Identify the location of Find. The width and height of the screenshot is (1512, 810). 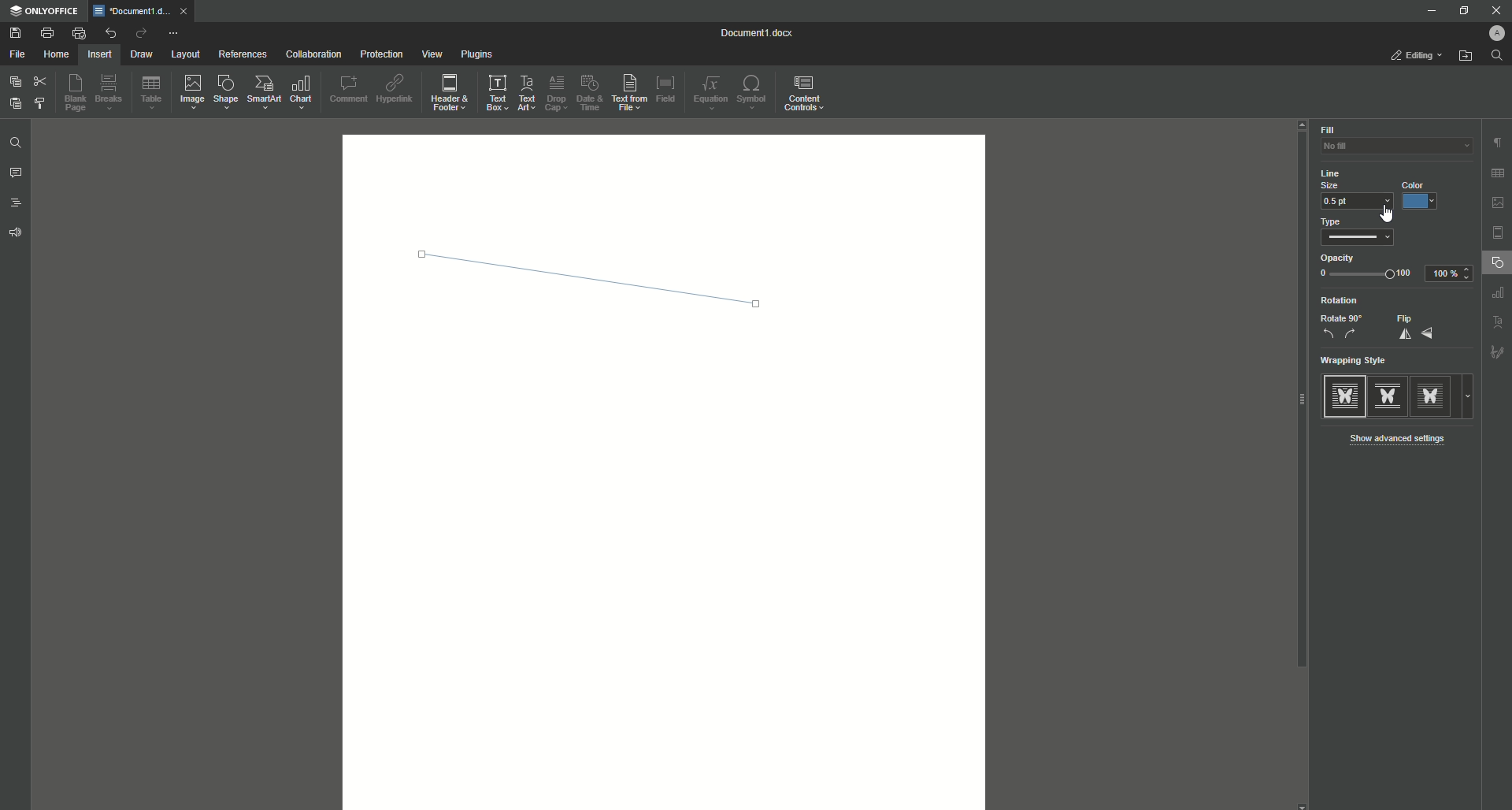
(1501, 55).